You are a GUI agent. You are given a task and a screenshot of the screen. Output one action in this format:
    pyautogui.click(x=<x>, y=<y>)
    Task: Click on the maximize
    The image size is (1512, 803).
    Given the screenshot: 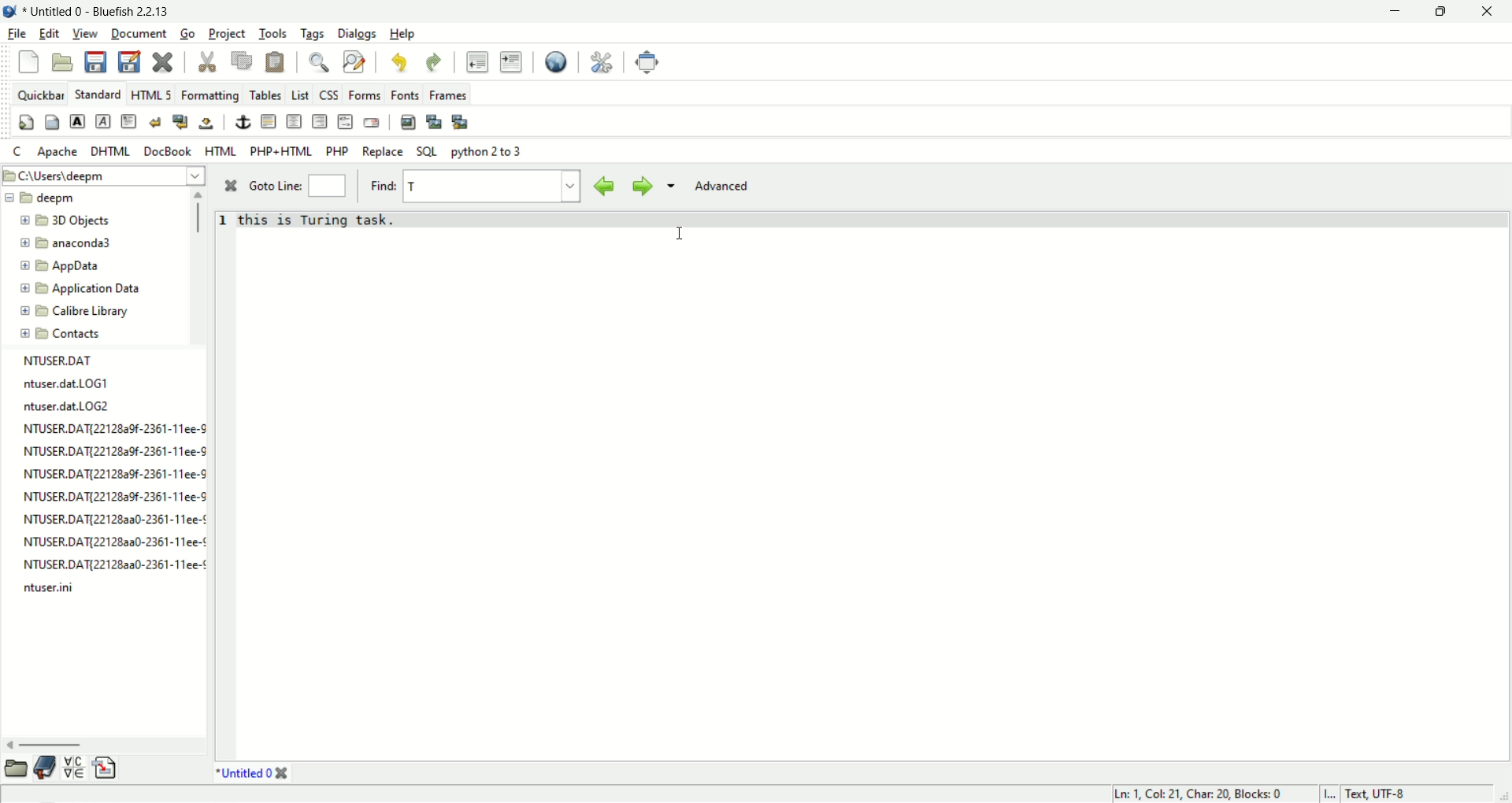 What is the action you would take?
    pyautogui.click(x=1444, y=13)
    